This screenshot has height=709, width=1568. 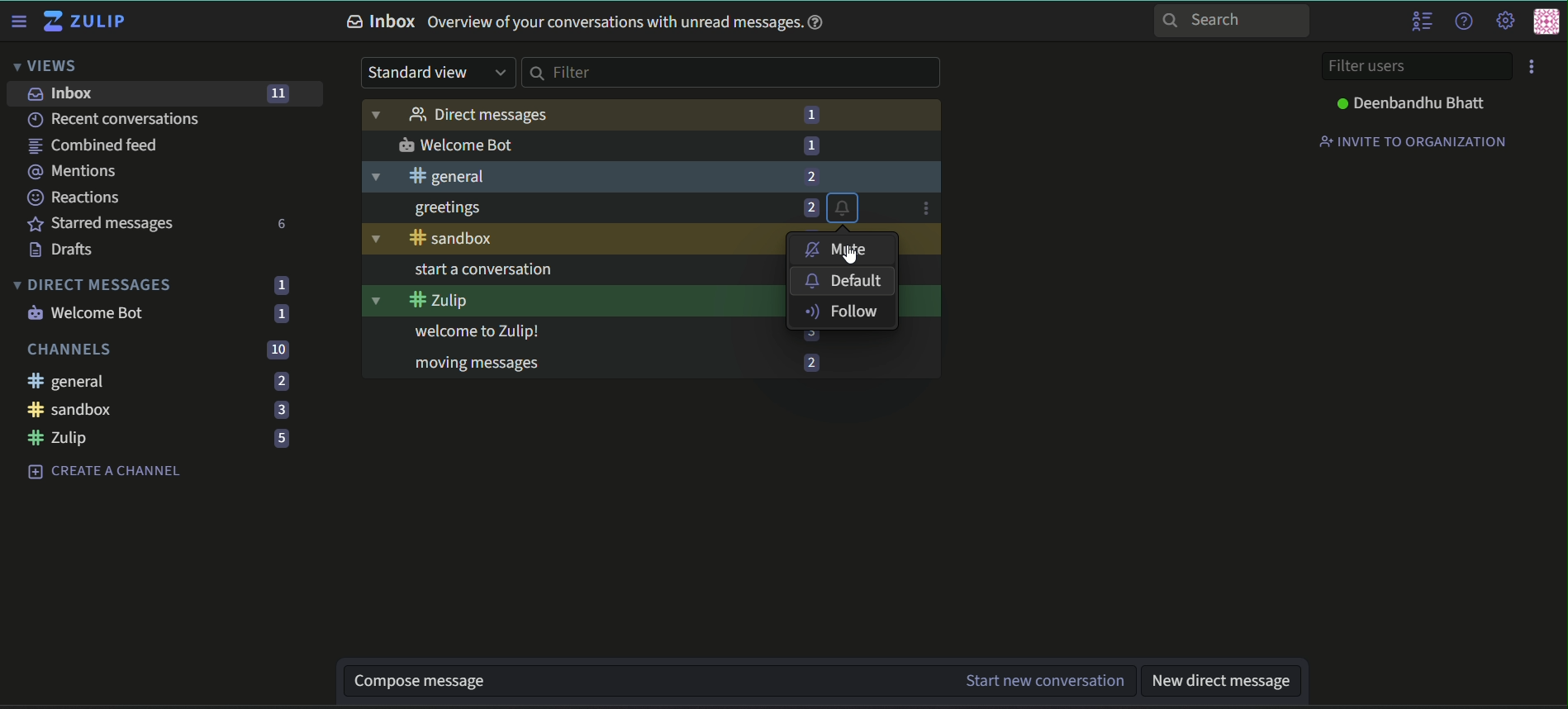 What do you see at coordinates (810, 176) in the screenshot?
I see `number` at bounding box center [810, 176].